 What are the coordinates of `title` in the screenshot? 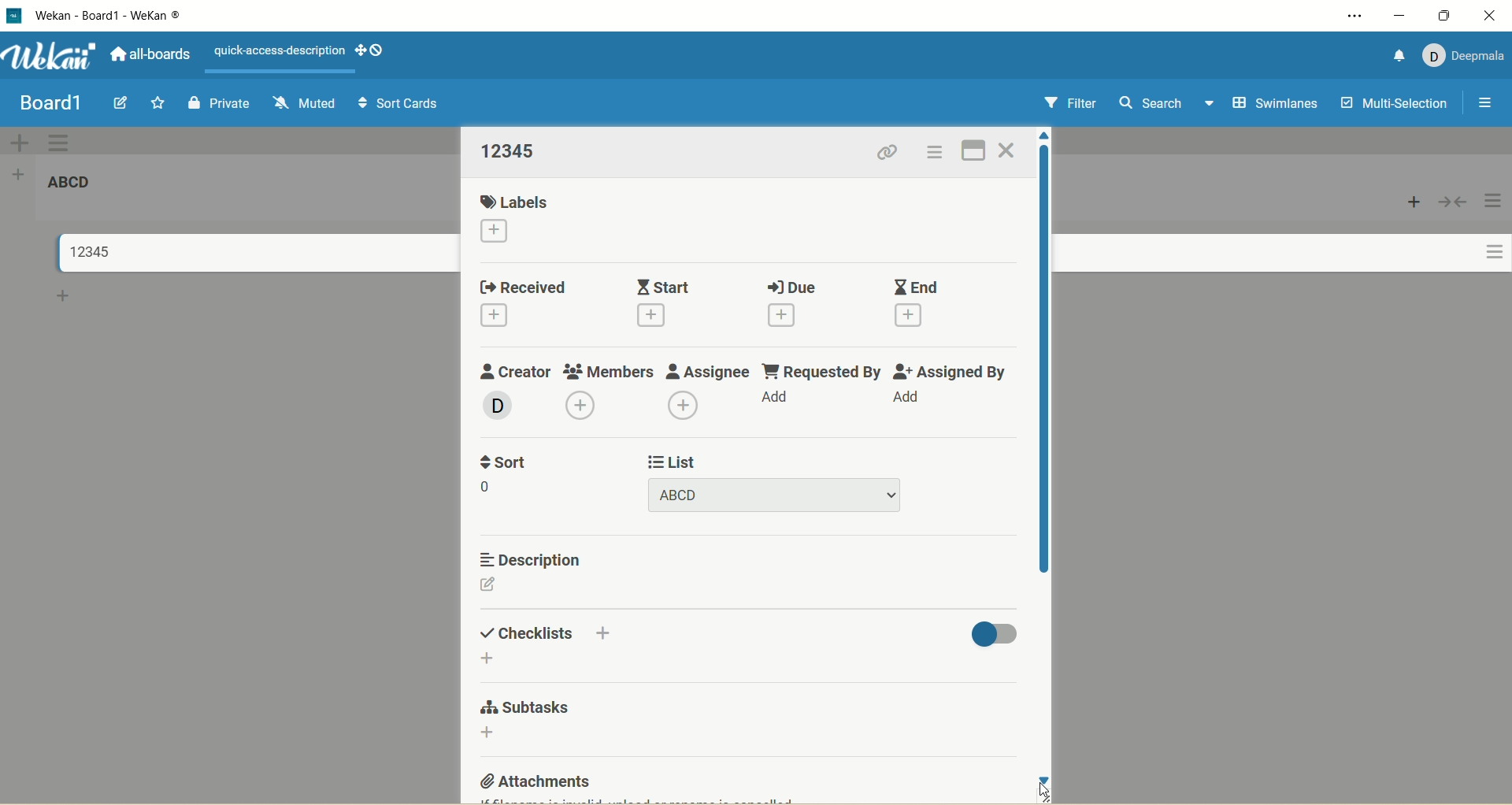 It's located at (83, 252).